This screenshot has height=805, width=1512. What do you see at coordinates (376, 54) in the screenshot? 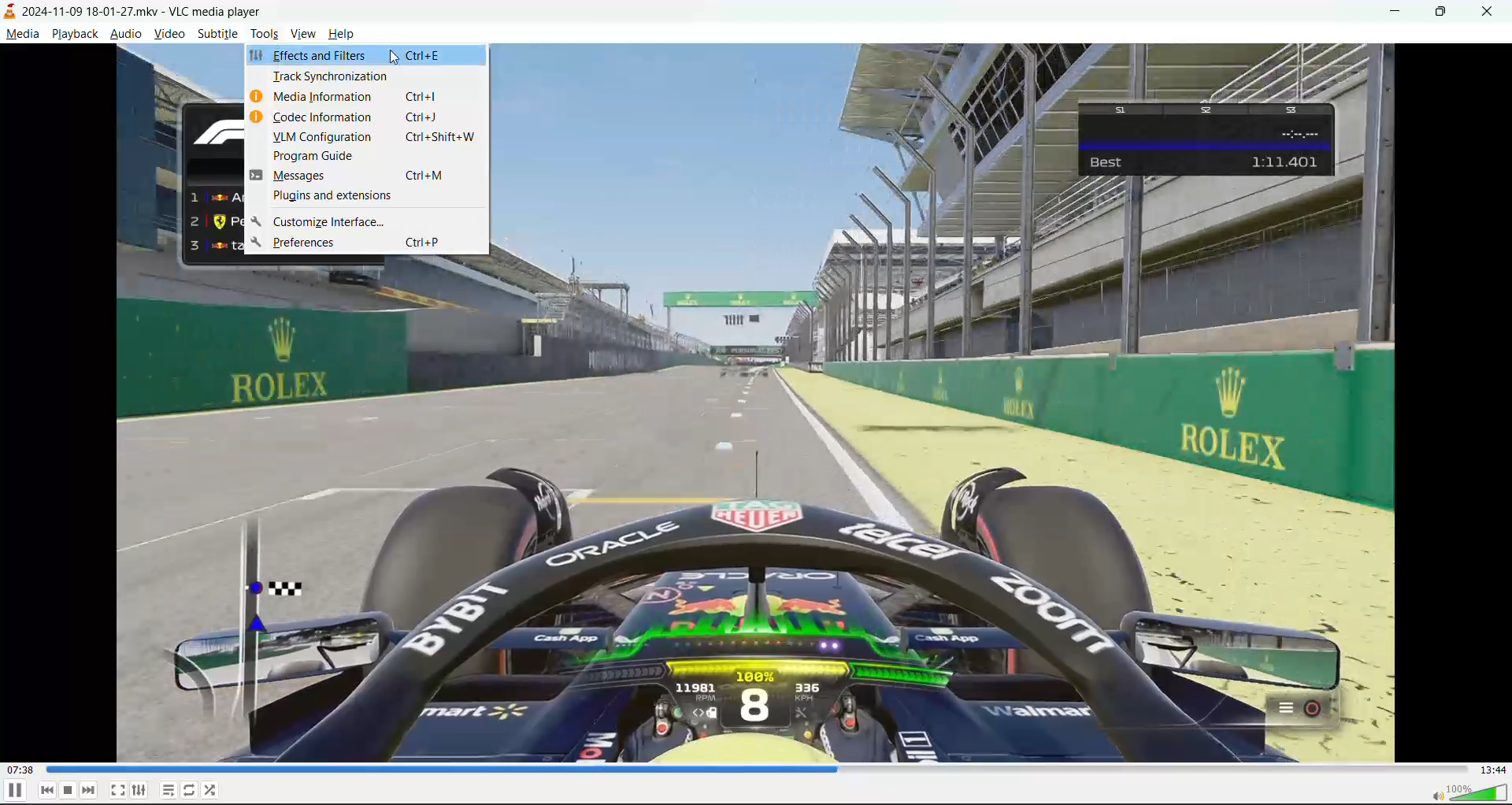
I see `effects and filters` at bounding box center [376, 54].